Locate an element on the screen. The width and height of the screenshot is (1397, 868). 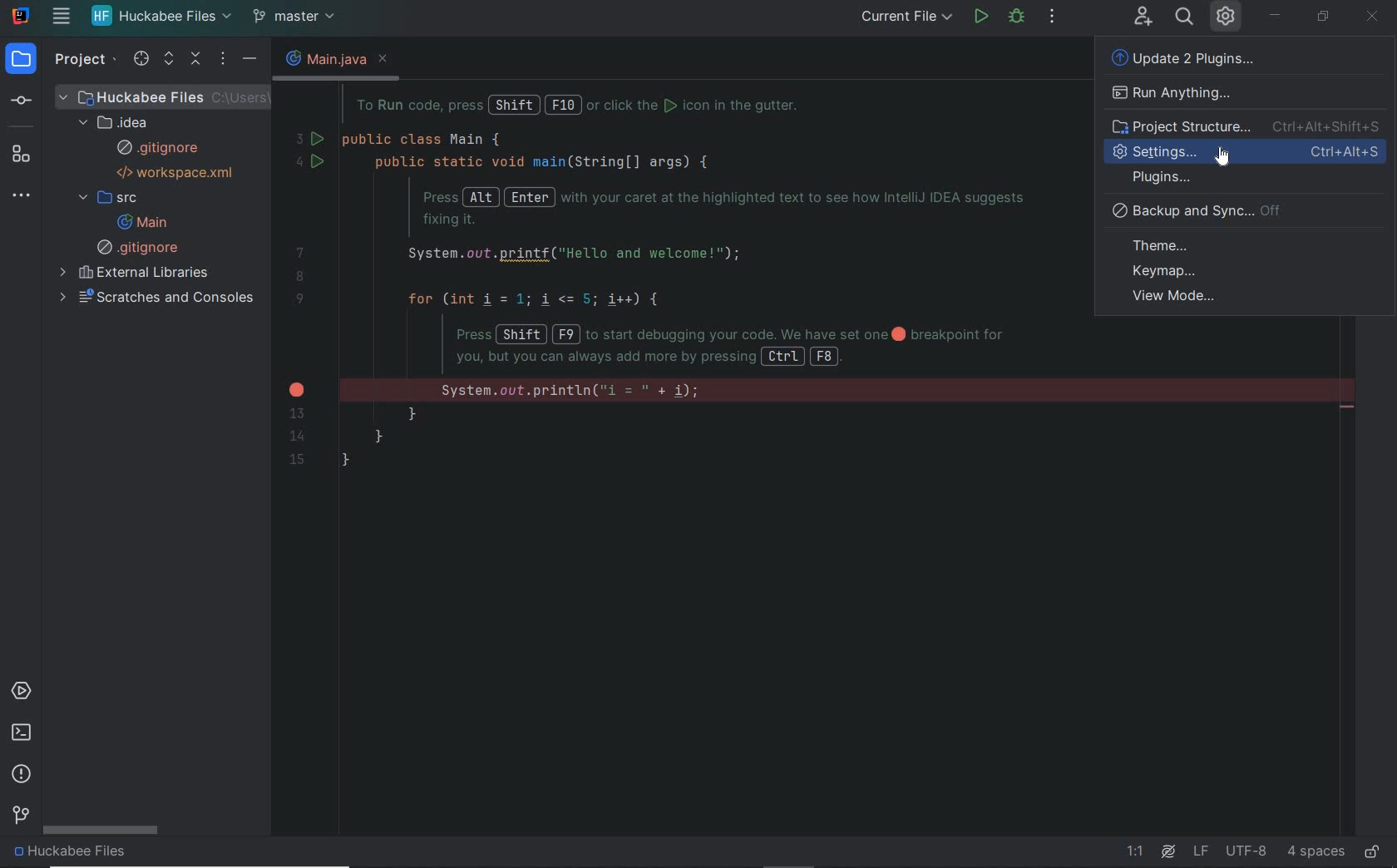
go to line is located at coordinates (1138, 852).